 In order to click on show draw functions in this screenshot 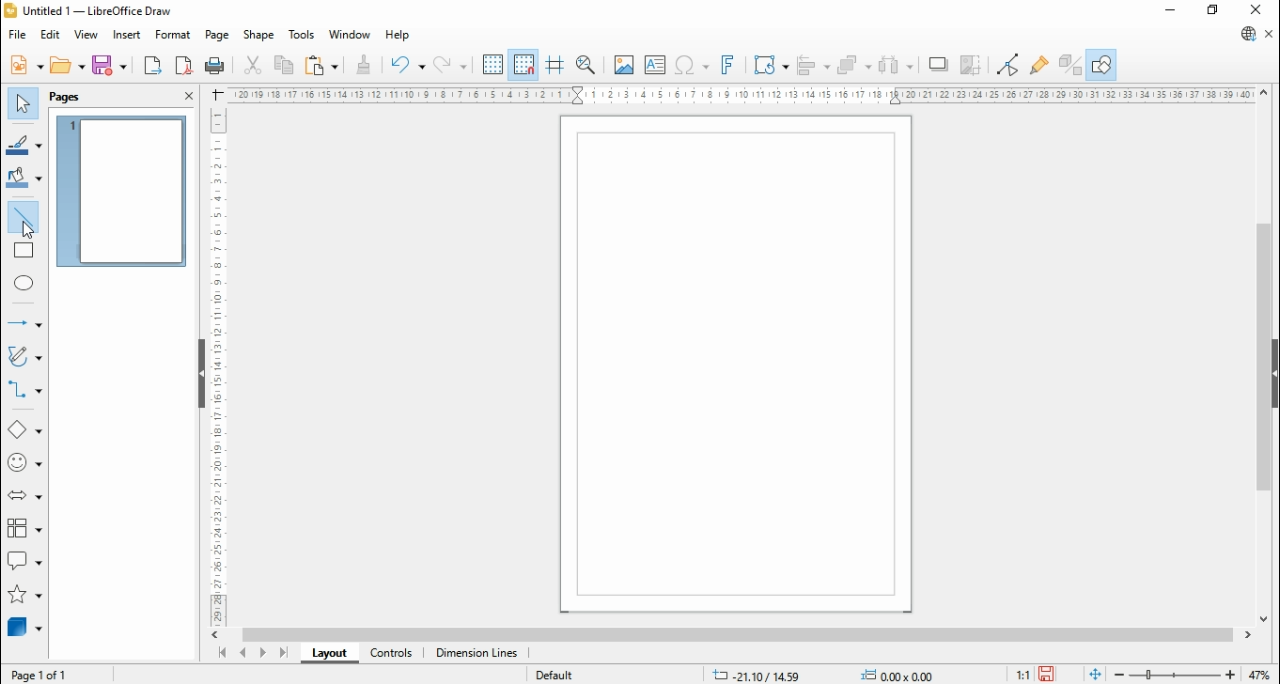, I will do `click(1103, 64)`.